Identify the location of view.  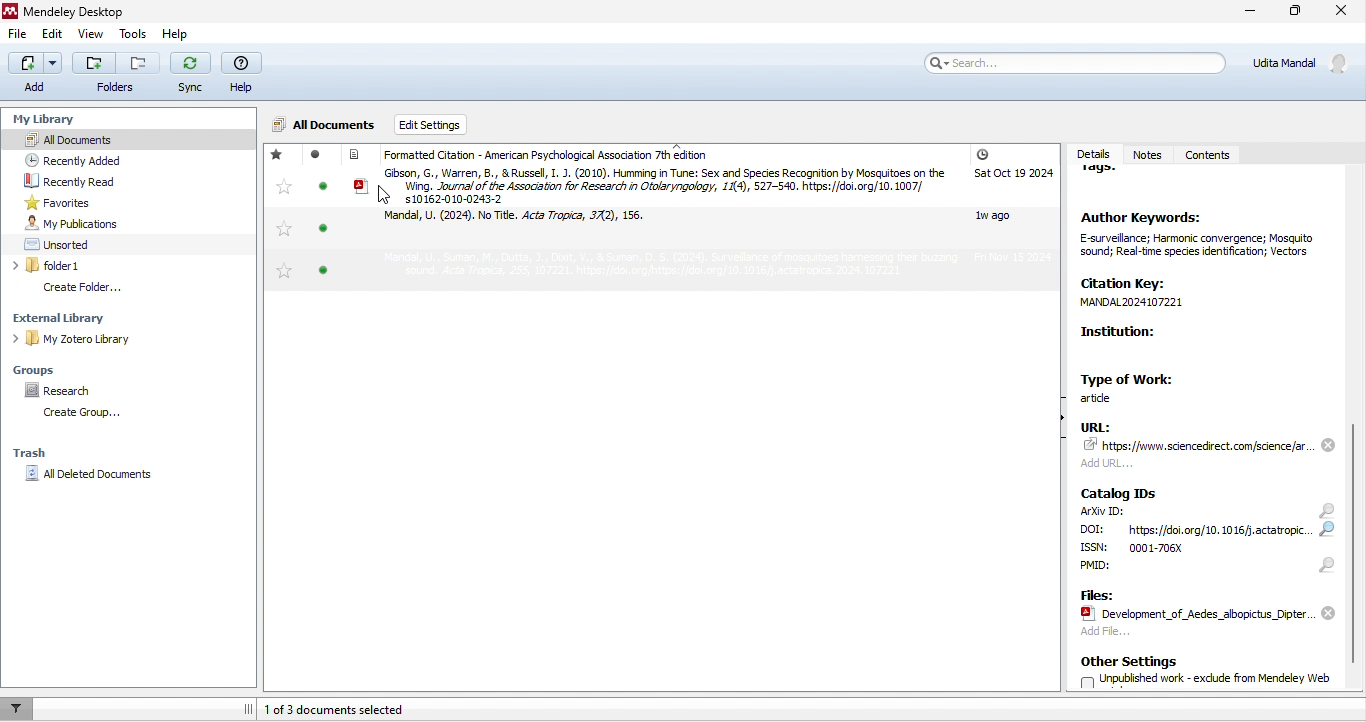
(88, 36).